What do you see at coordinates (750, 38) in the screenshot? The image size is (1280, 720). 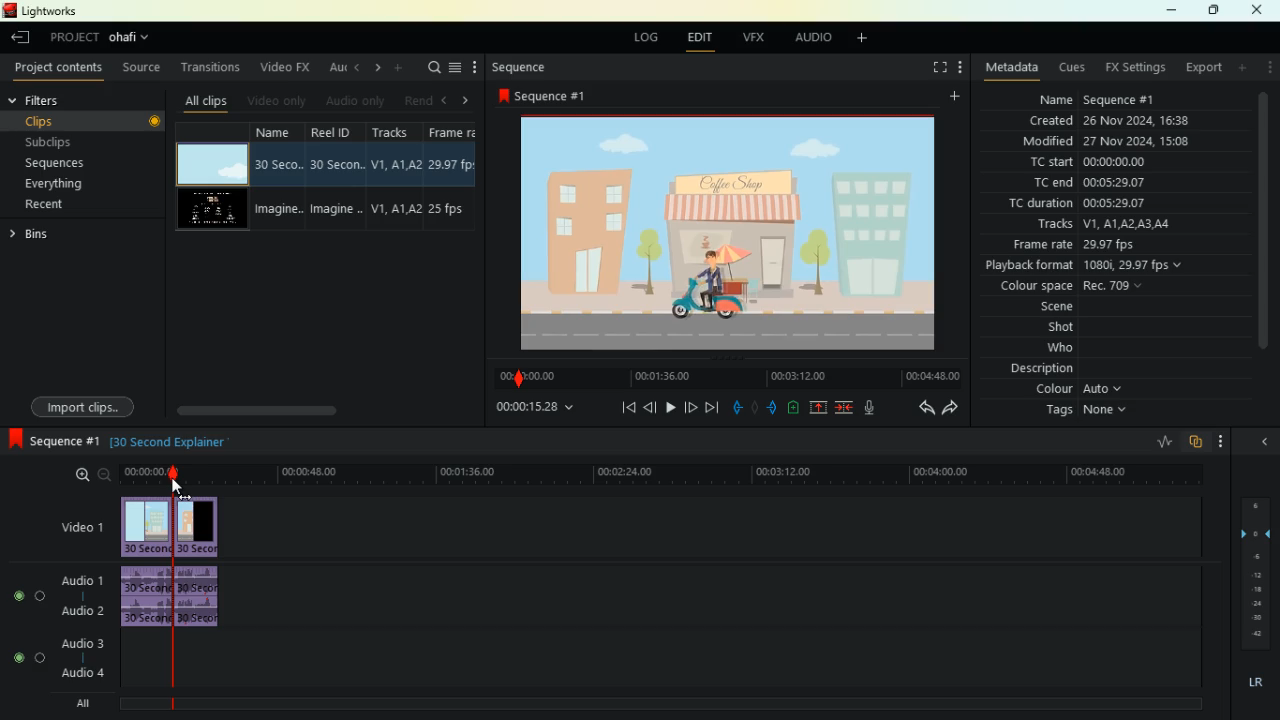 I see `vfx` at bounding box center [750, 38].